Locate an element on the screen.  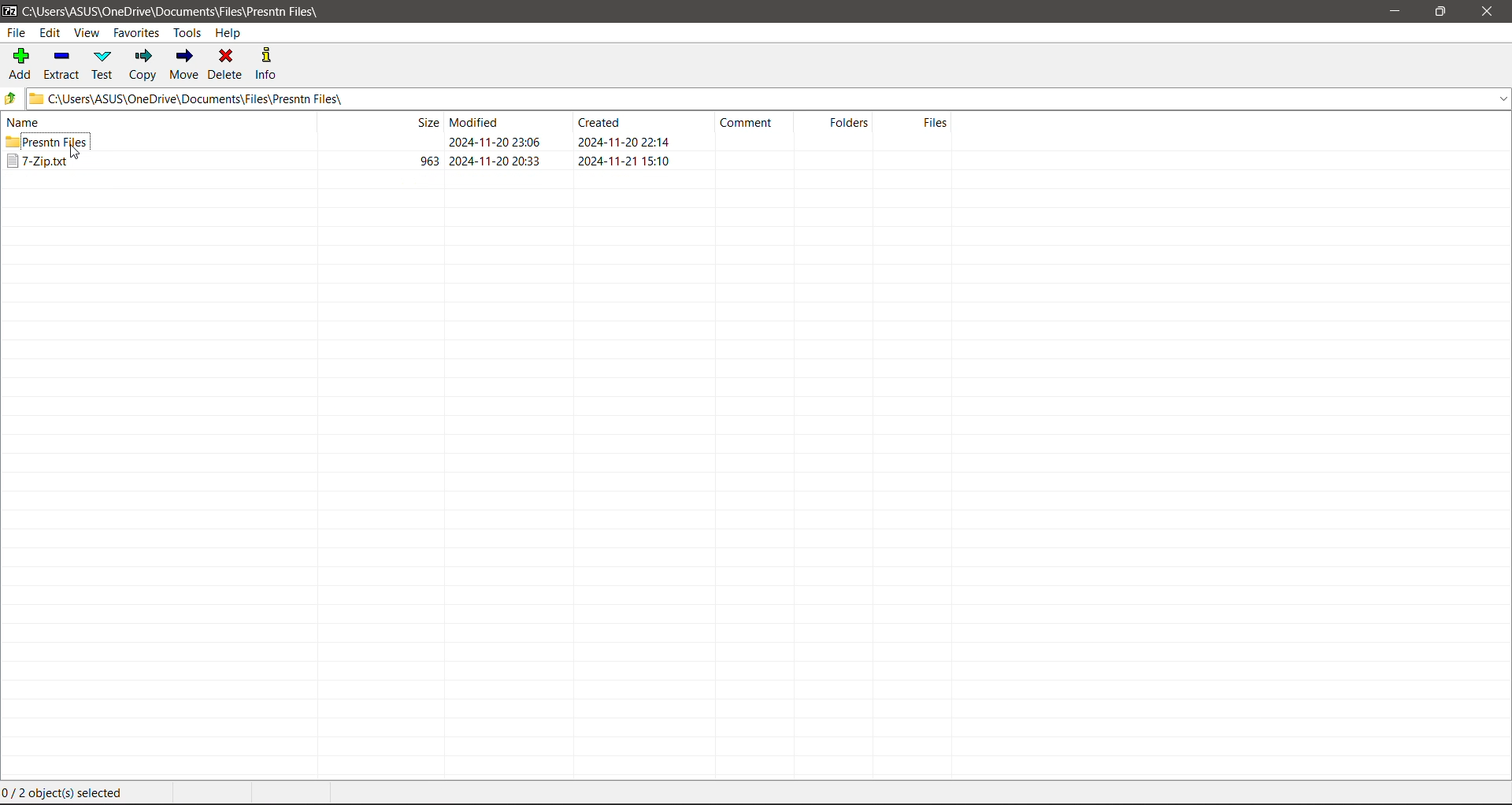
Modified is located at coordinates (479, 120).